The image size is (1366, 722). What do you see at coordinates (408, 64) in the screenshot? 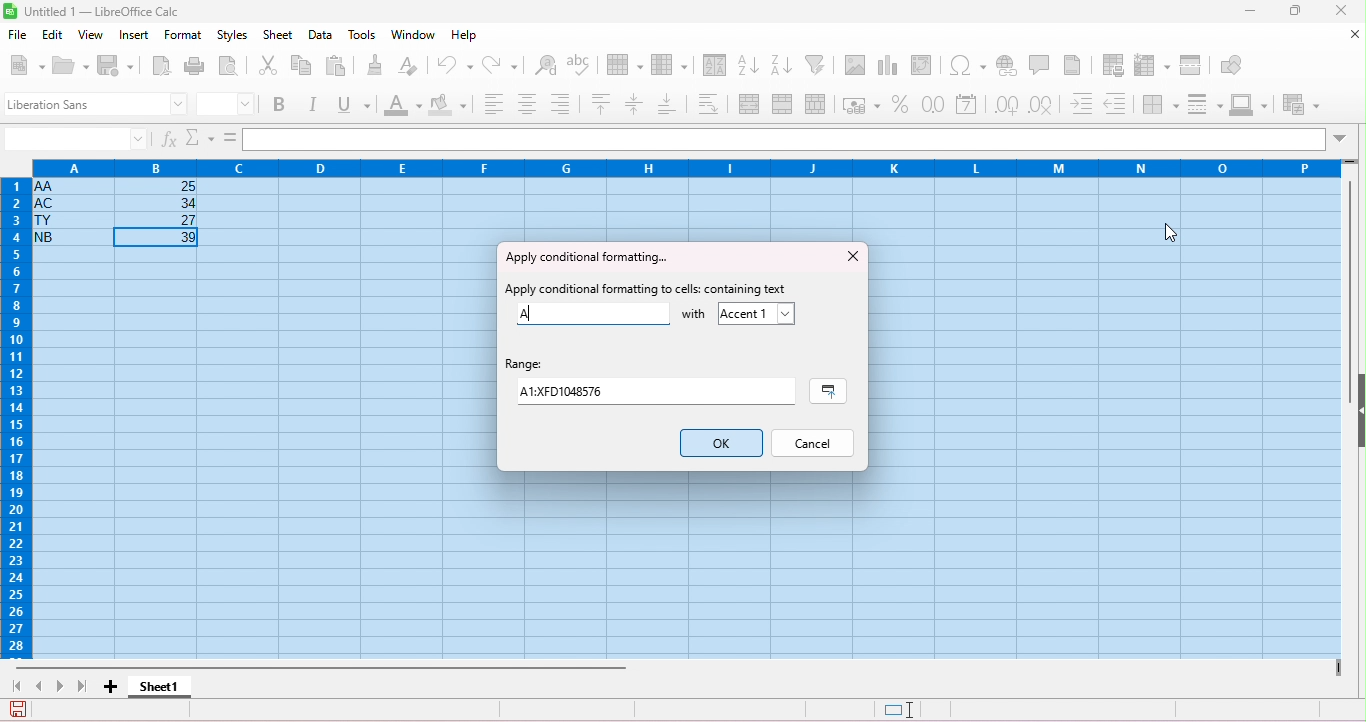
I see `clear direct formatting` at bounding box center [408, 64].